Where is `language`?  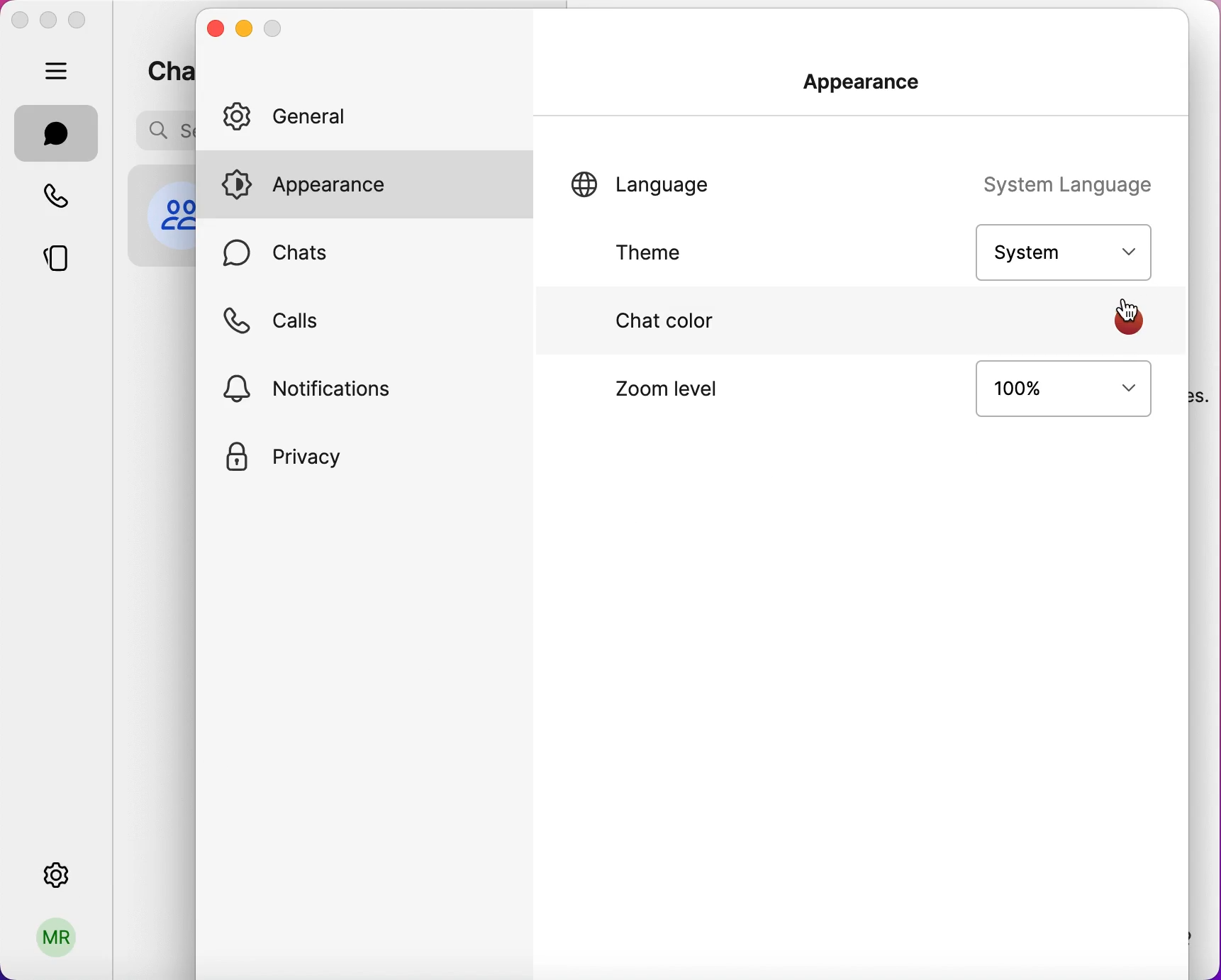
language is located at coordinates (659, 188).